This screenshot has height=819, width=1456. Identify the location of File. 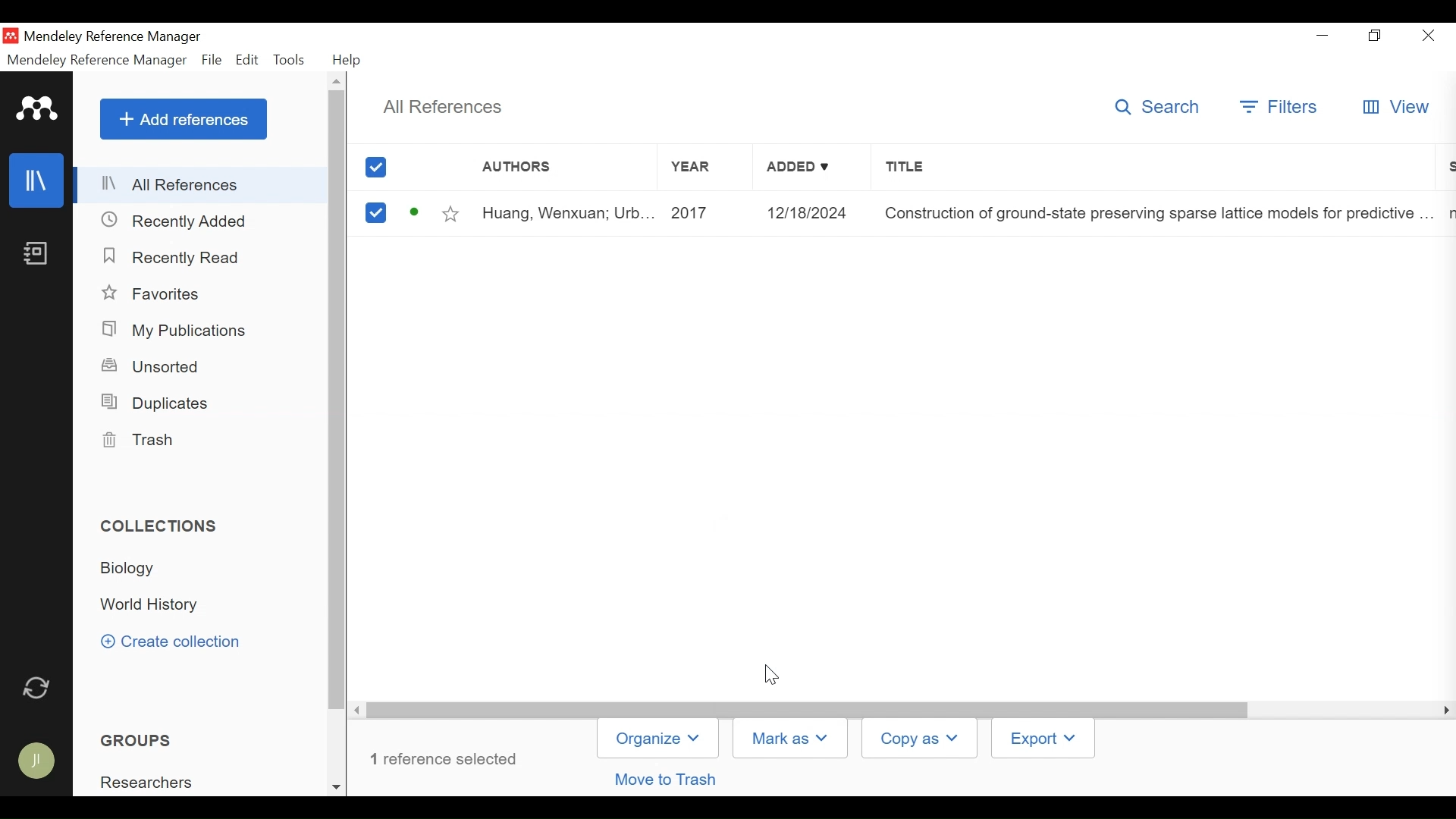
(211, 61).